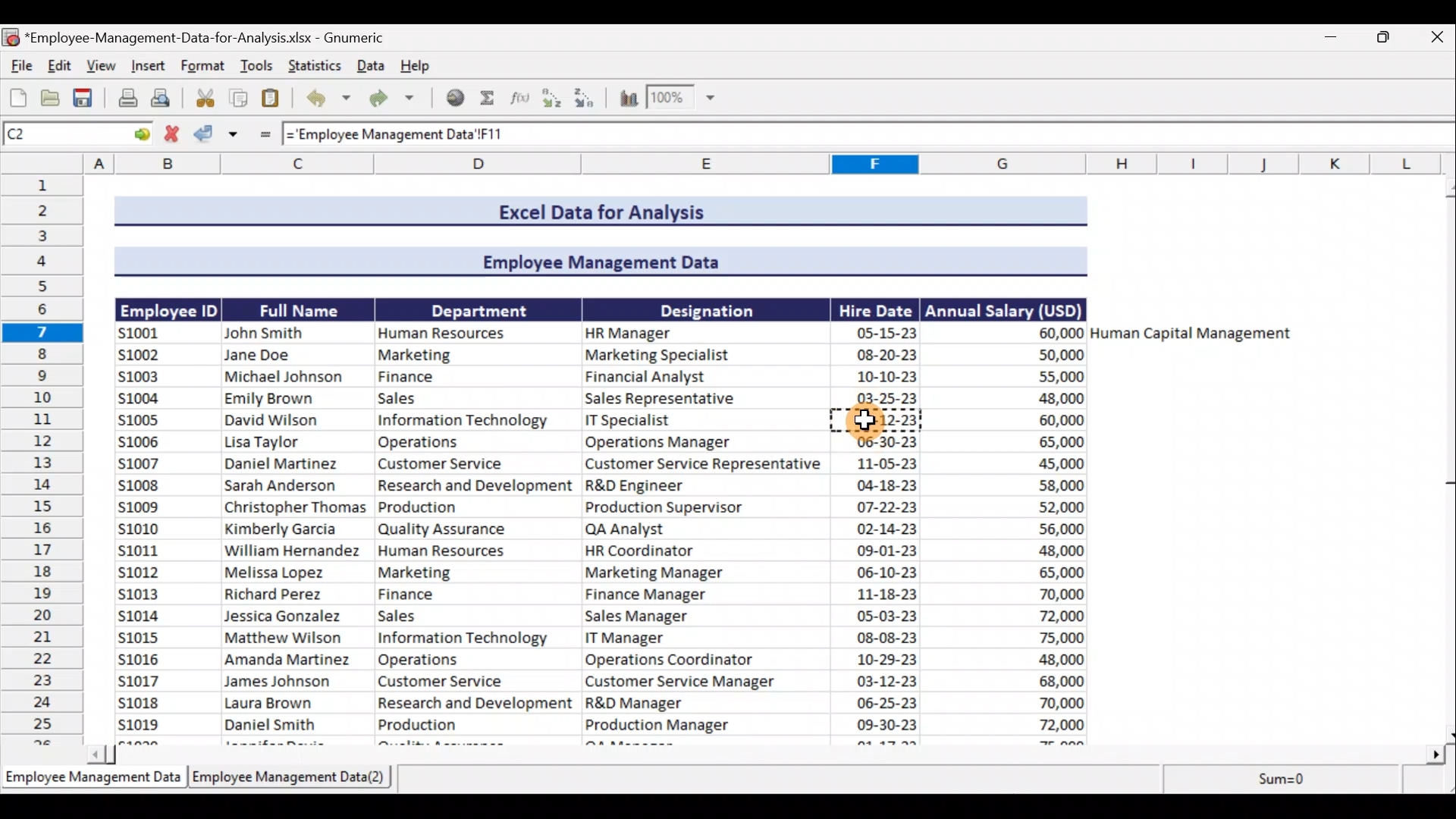 The image size is (1456, 819). Describe the element at coordinates (589, 99) in the screenshot. I see `Sort Descending` at that location.